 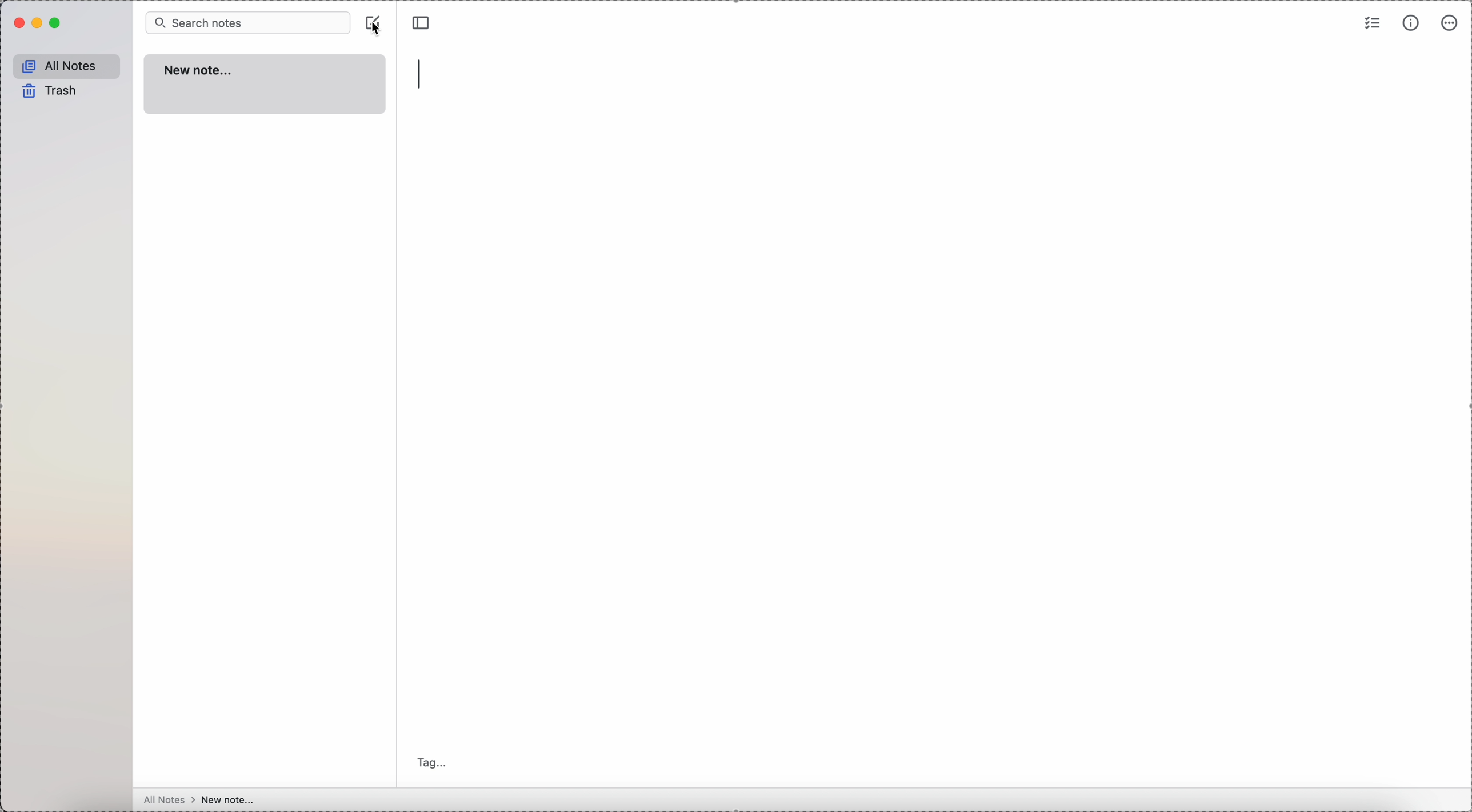 What do you see at coordinates (422, 23) in the screenshot?
I see `toggle side bar` at bounding box center [422, 23].